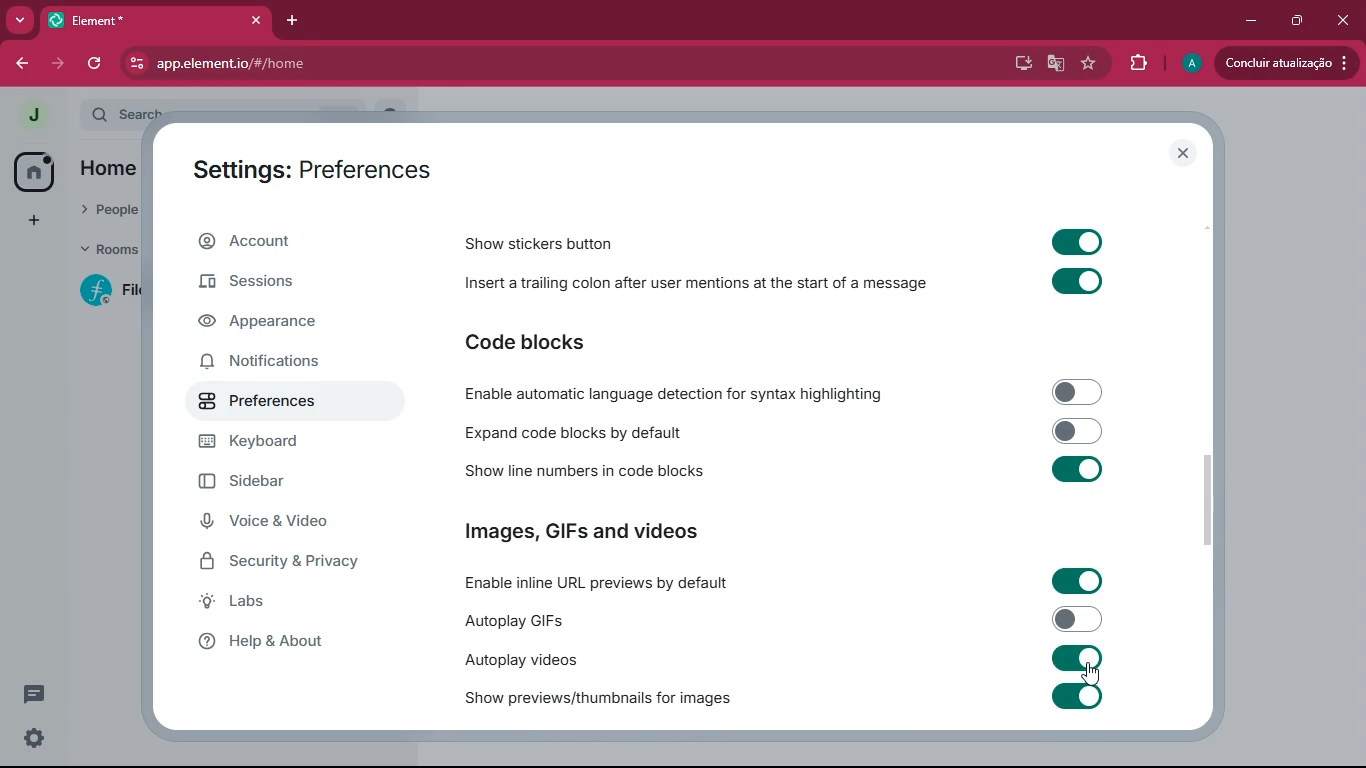  I want to click on notifications, so click(268, 363).